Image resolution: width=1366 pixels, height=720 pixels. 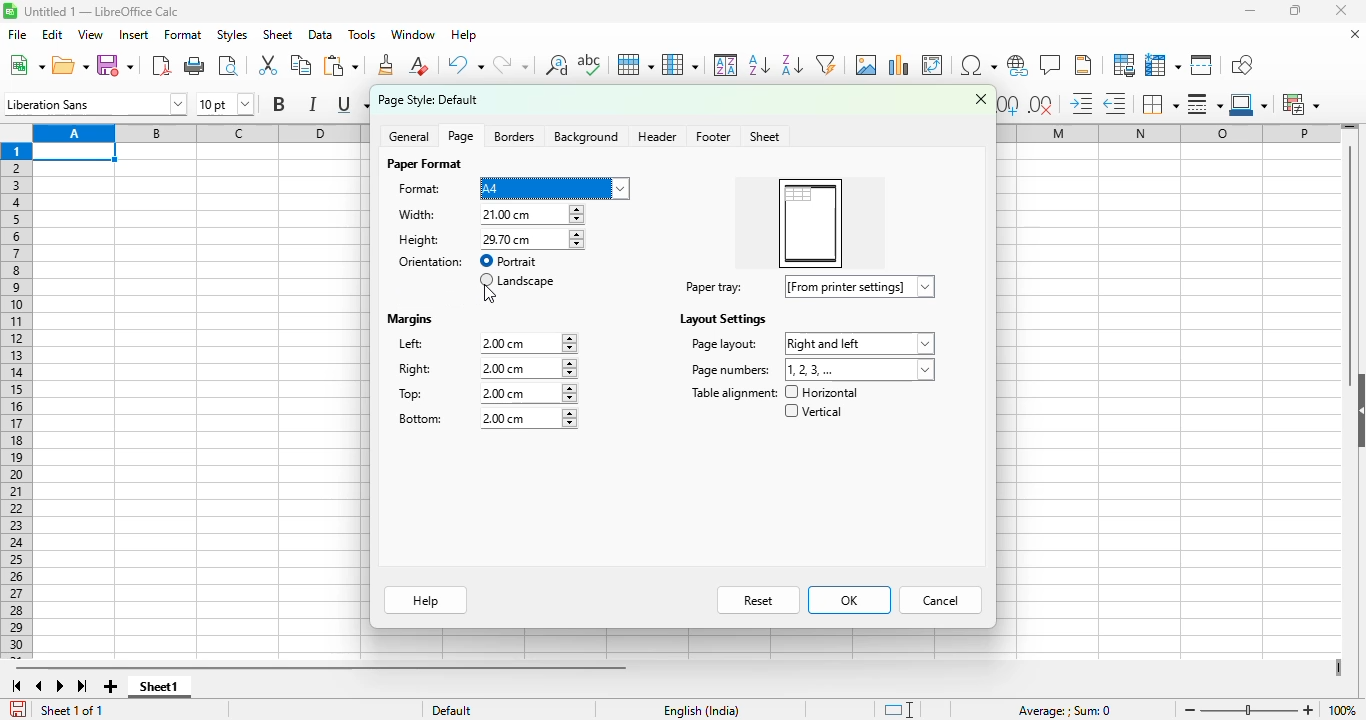 What do you see at coordinates (822, 392) in the screenshot?
I see `horizontal` at bounding box center [822, 392].